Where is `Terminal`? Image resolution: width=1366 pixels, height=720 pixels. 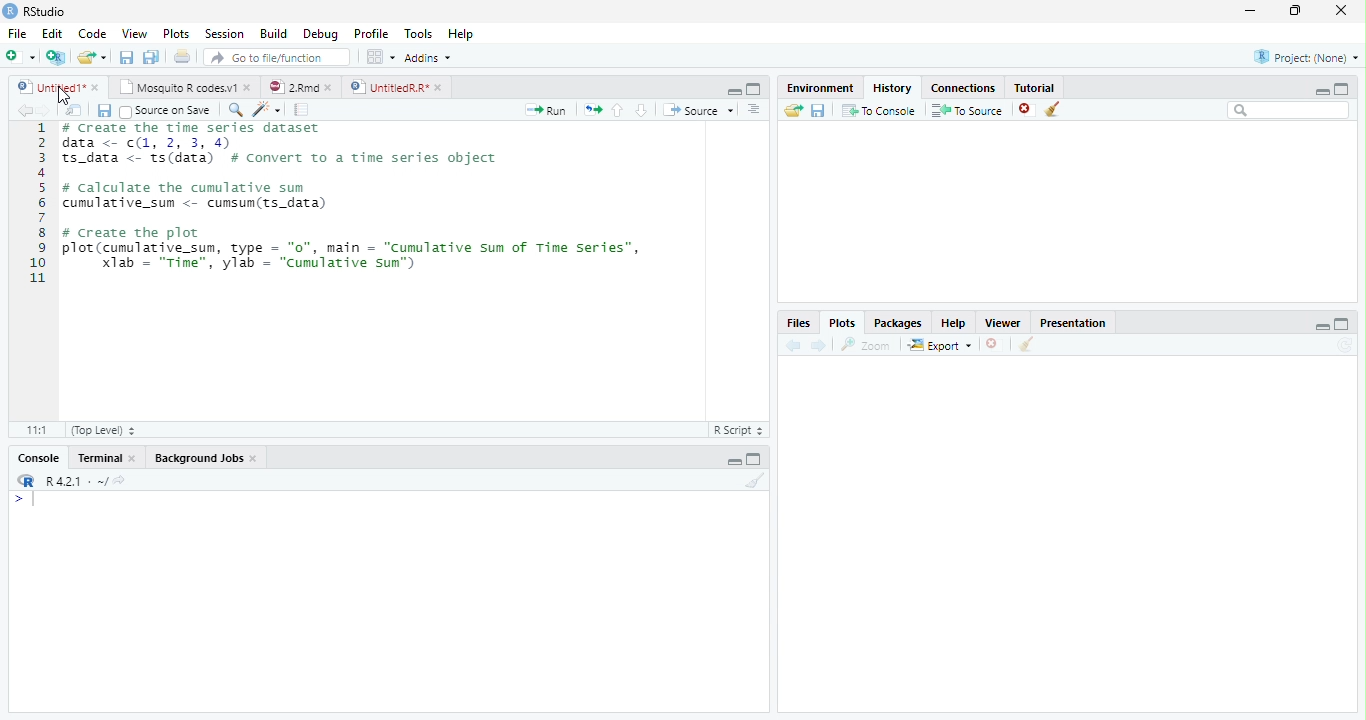
Terminal is located at coordinates (106, 458).